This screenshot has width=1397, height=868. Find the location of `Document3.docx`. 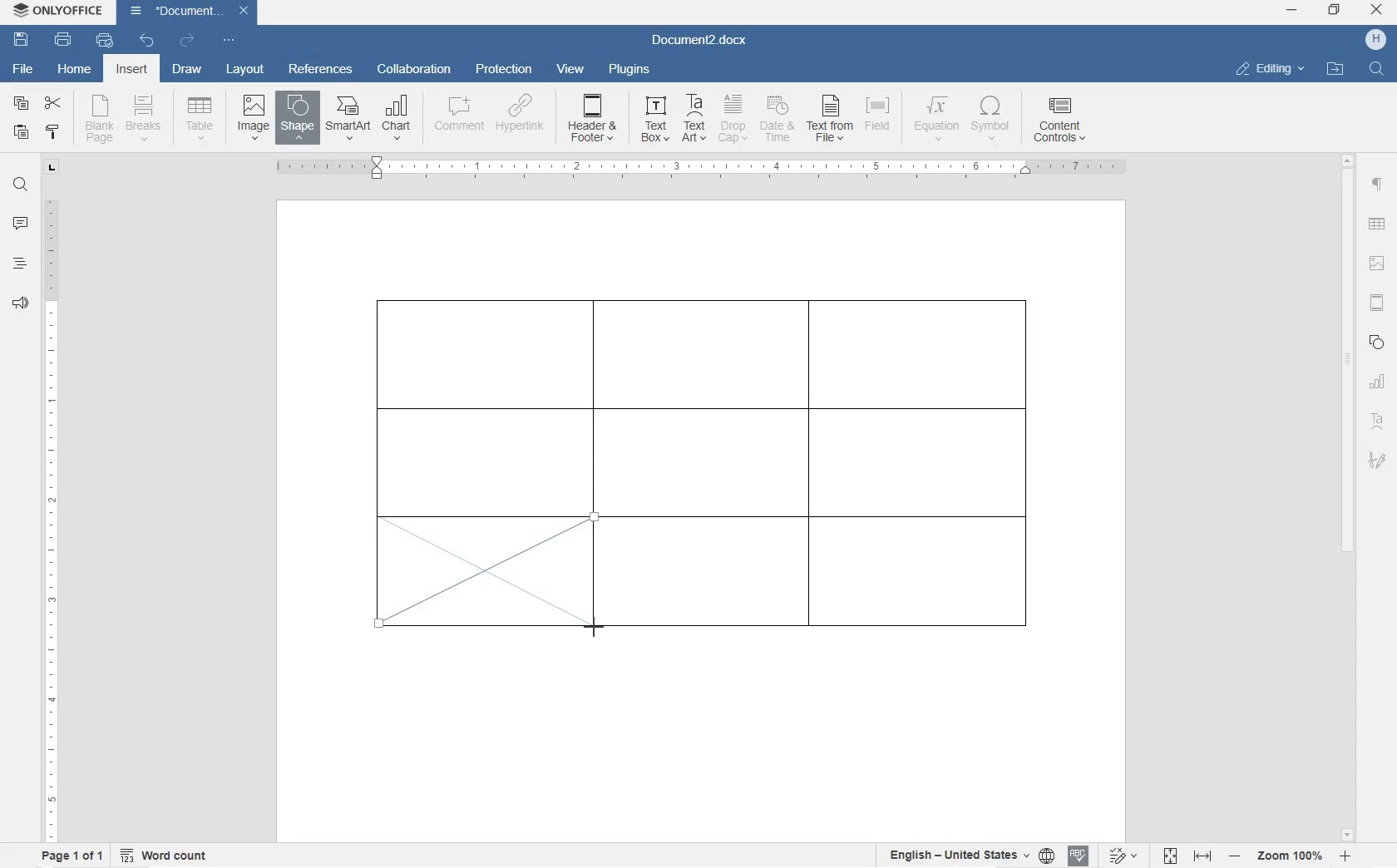

Document3.docx is located at coordinates (704, 42).